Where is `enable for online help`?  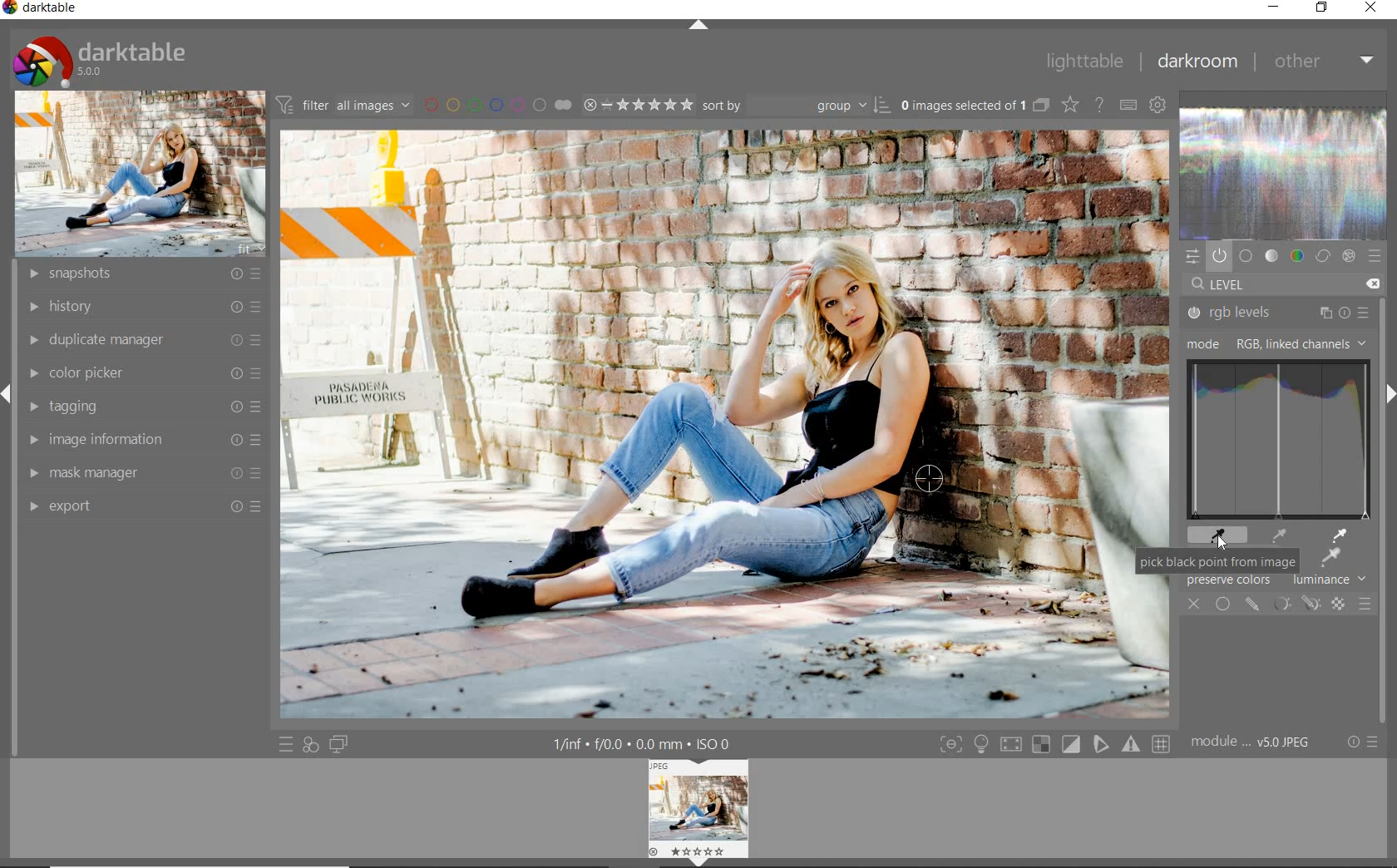 enable for online help is located at coordinates (1100, 106).